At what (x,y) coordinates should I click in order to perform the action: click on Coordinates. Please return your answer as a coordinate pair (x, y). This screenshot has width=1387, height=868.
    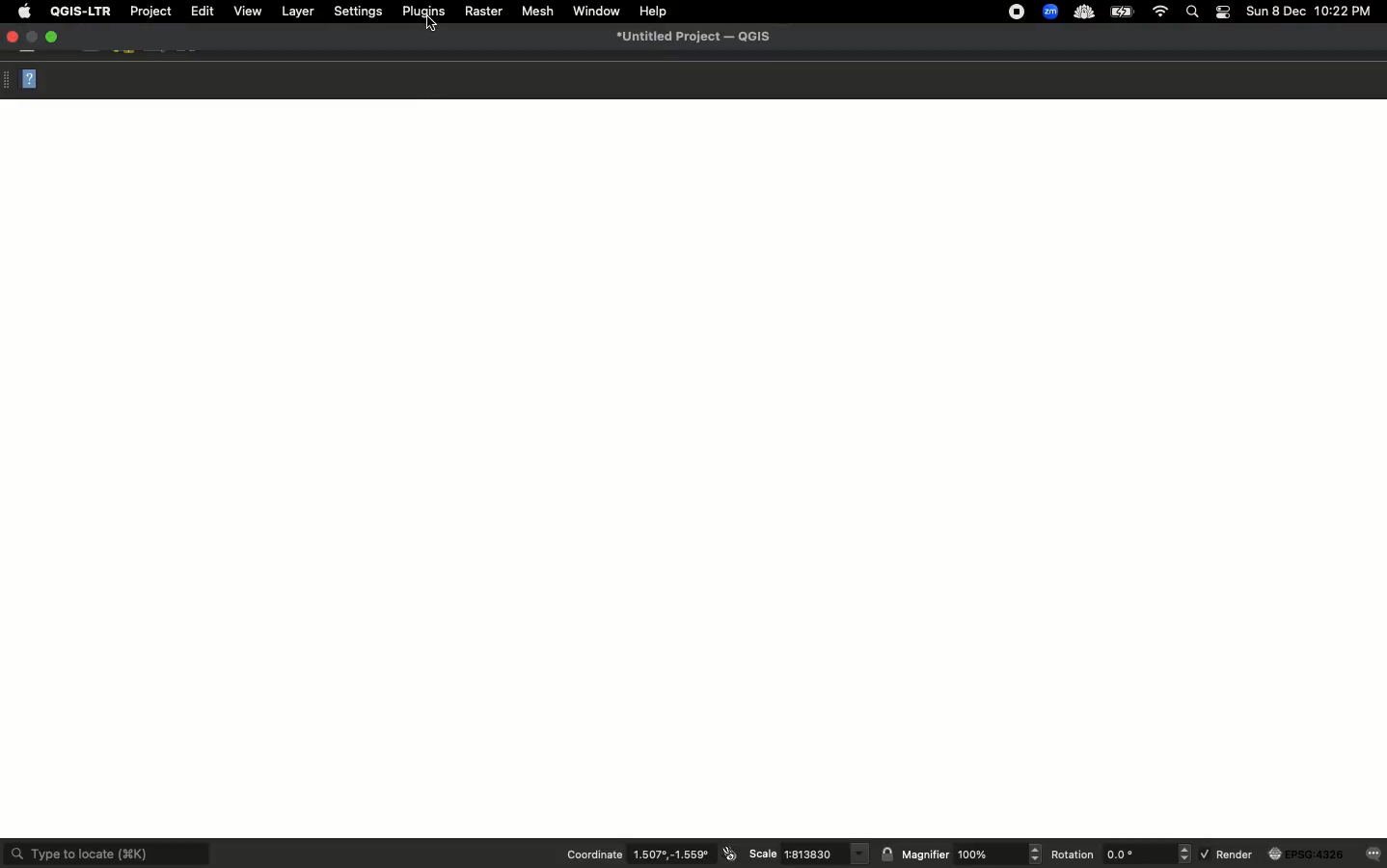
    Looking at the image, I should click on (674, 854).